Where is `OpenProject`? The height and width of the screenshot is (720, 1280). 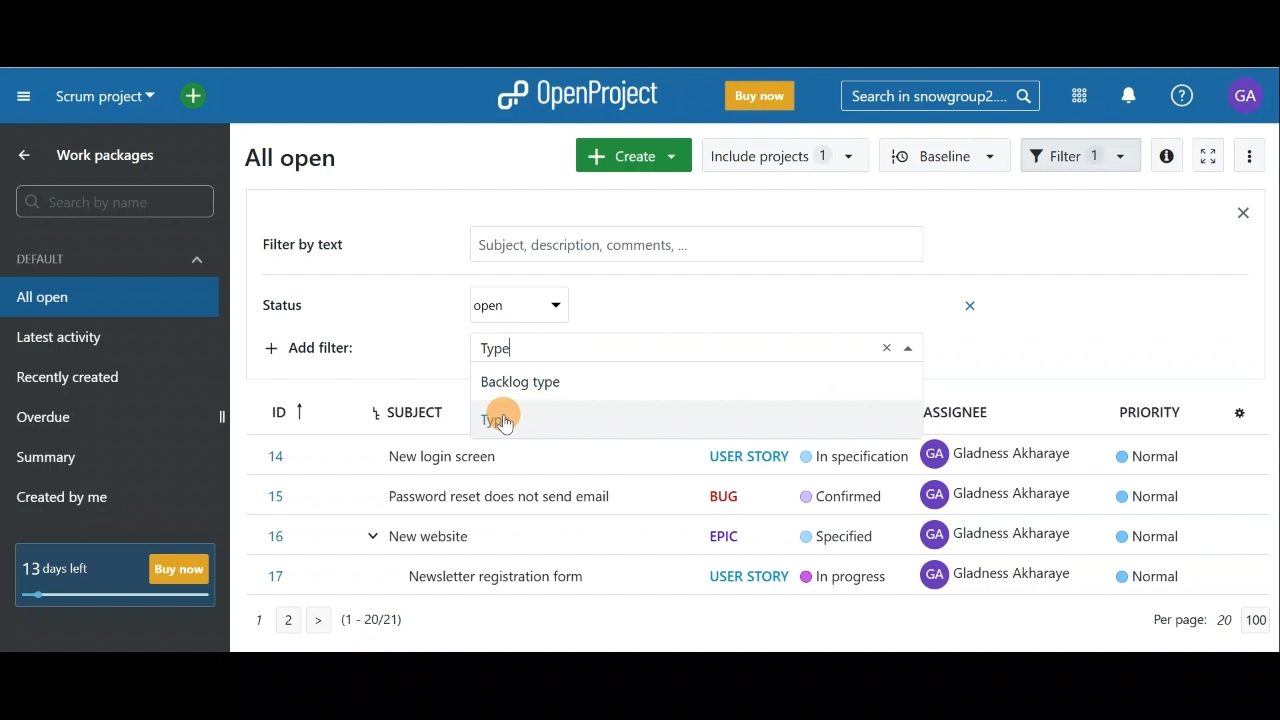 OpenProject is located at coordinates (578, 99).